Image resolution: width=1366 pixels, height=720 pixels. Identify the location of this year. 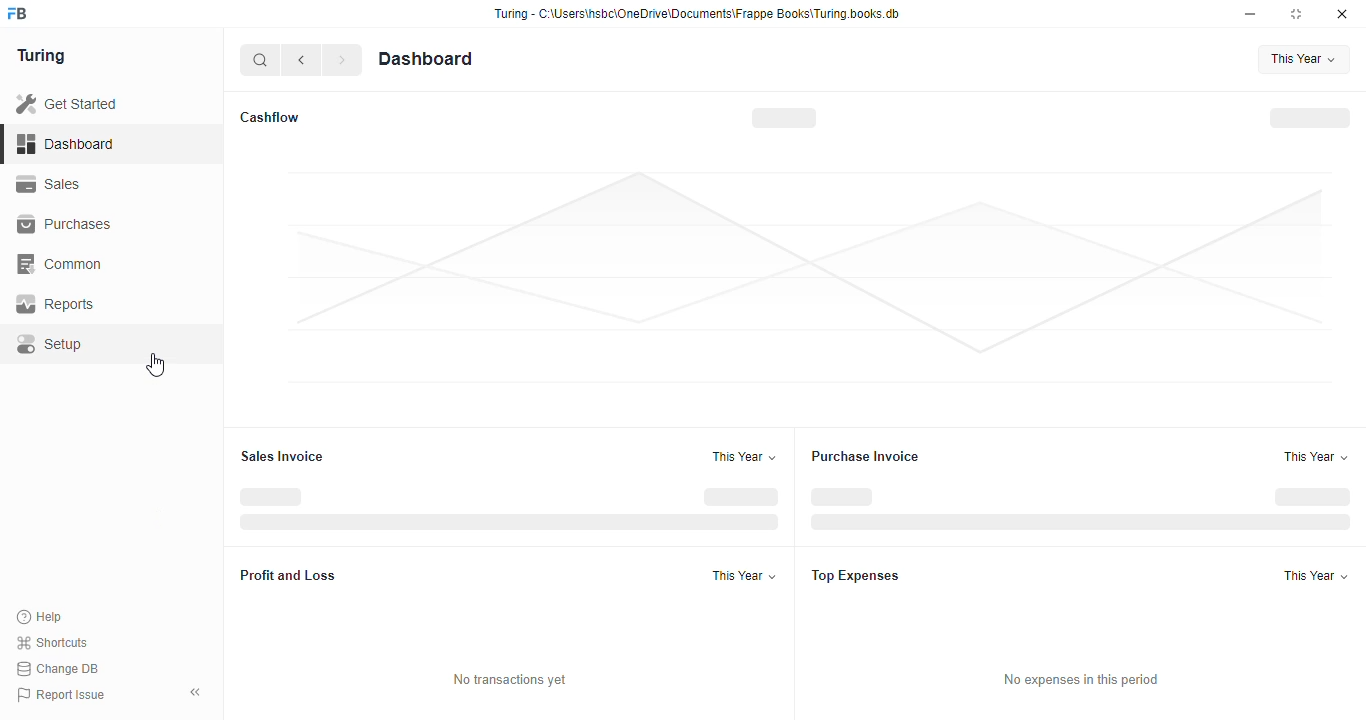
(1316, 456).